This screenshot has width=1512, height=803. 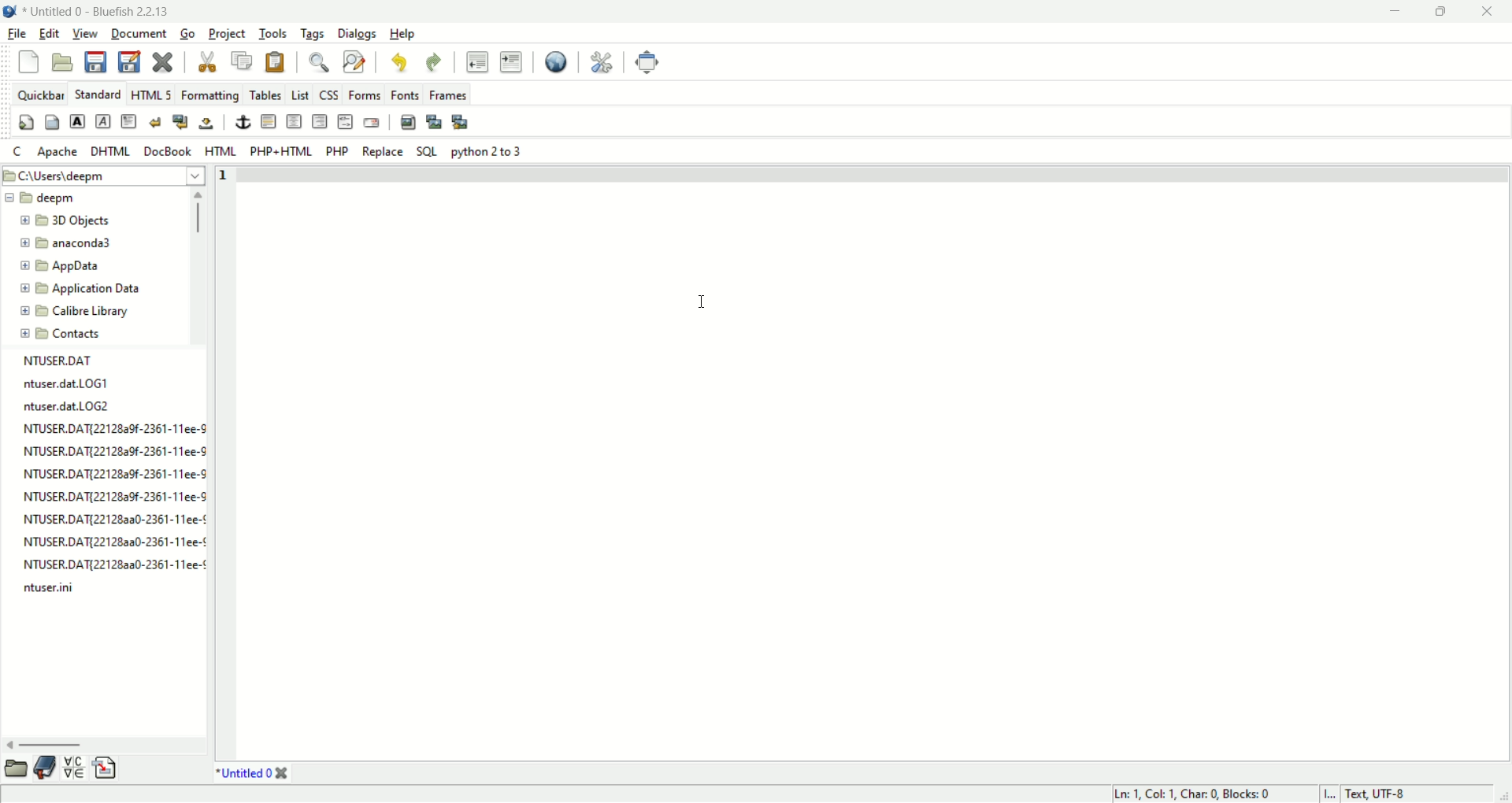 I want to click on redo, so click(x=434, y=63).